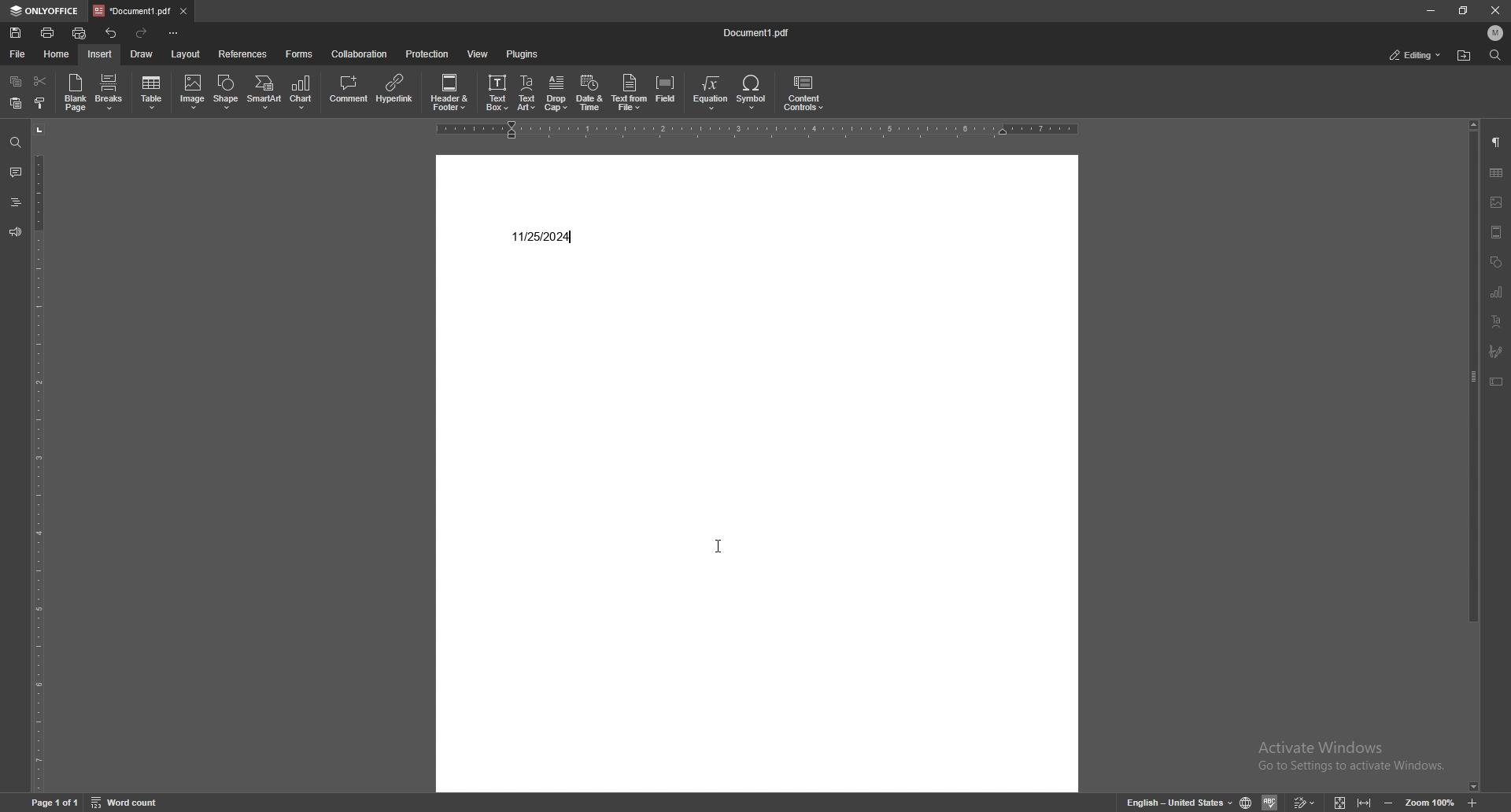 This screenshot has height=812, width=1511. Describe the element at coordinates (227, 92) in the screenshot. I see `shape` at that location.